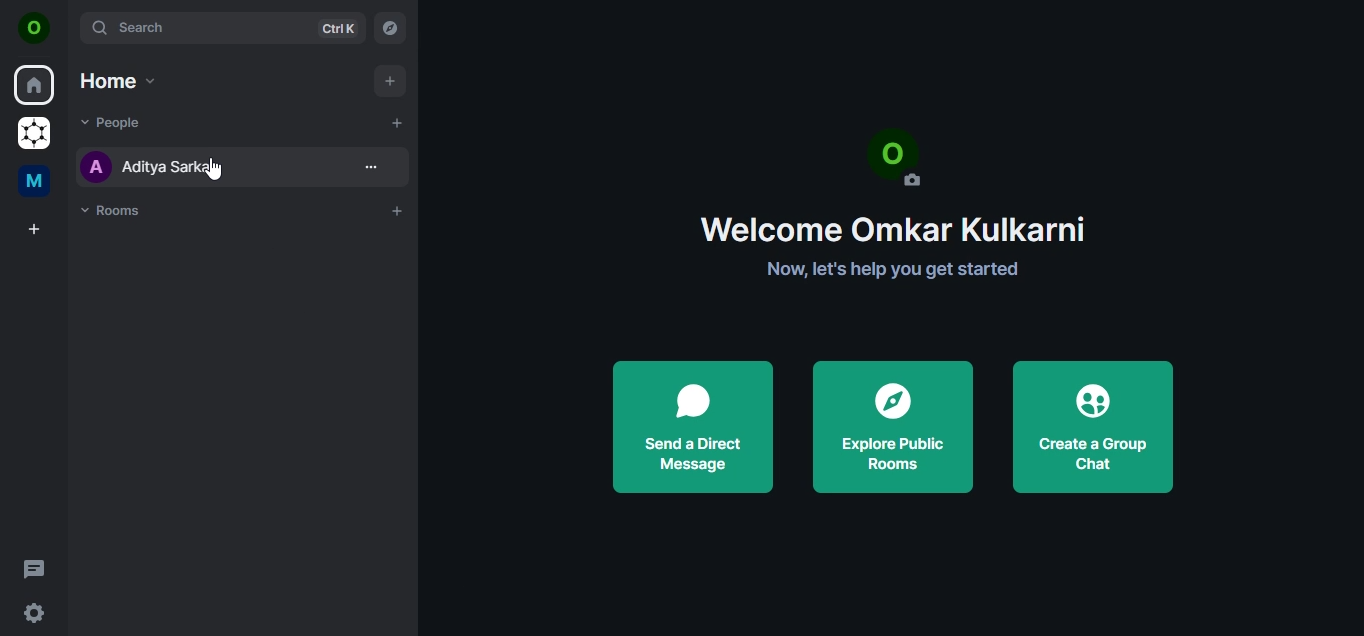 The width and height of the screenshot is (1364, 636). I want to click on name, so click(191, 164).